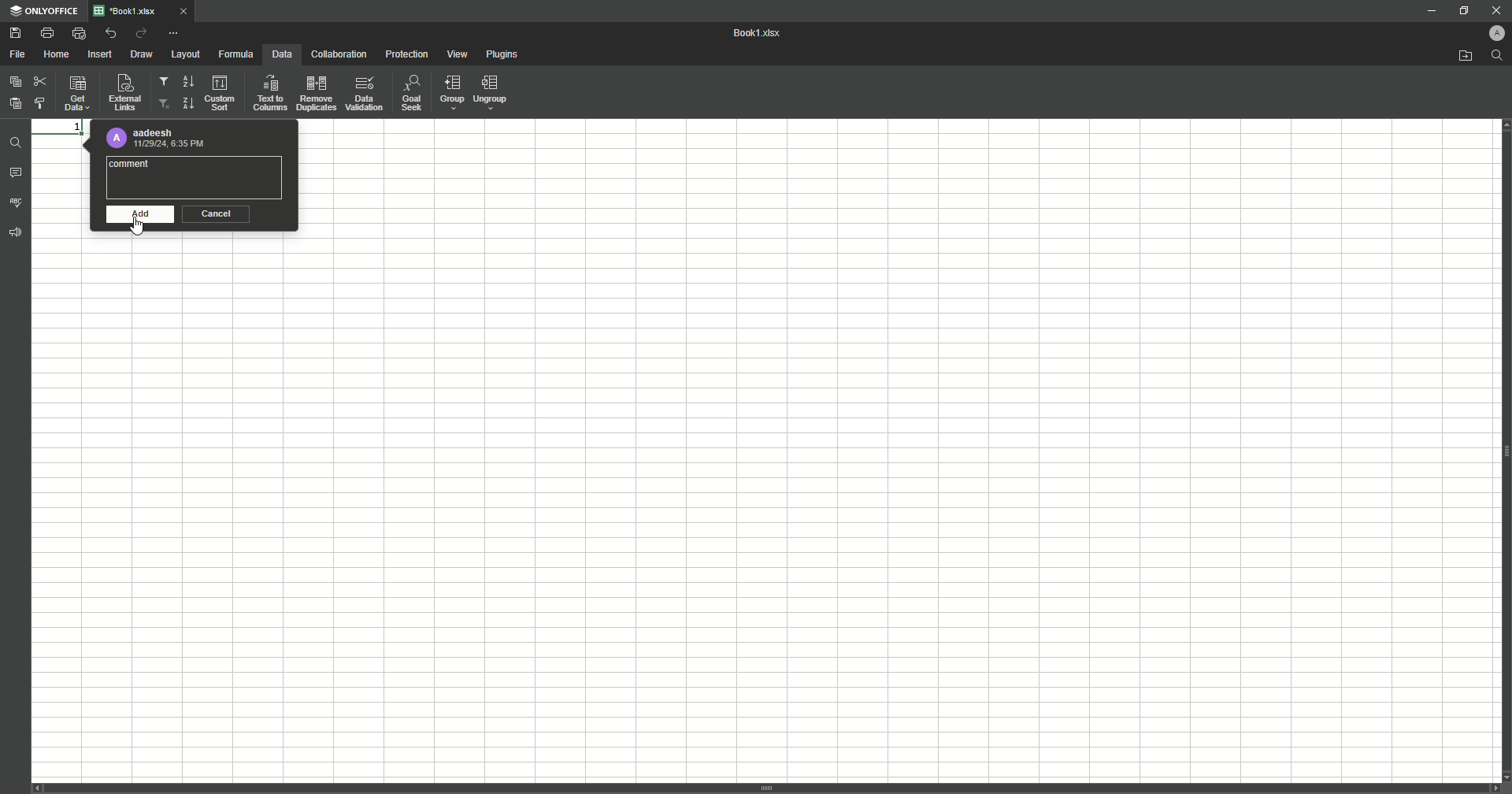  What do you see at coordinates (140, 34) in the screenshot?
I see `Redo` at bounding box center [140, 34].